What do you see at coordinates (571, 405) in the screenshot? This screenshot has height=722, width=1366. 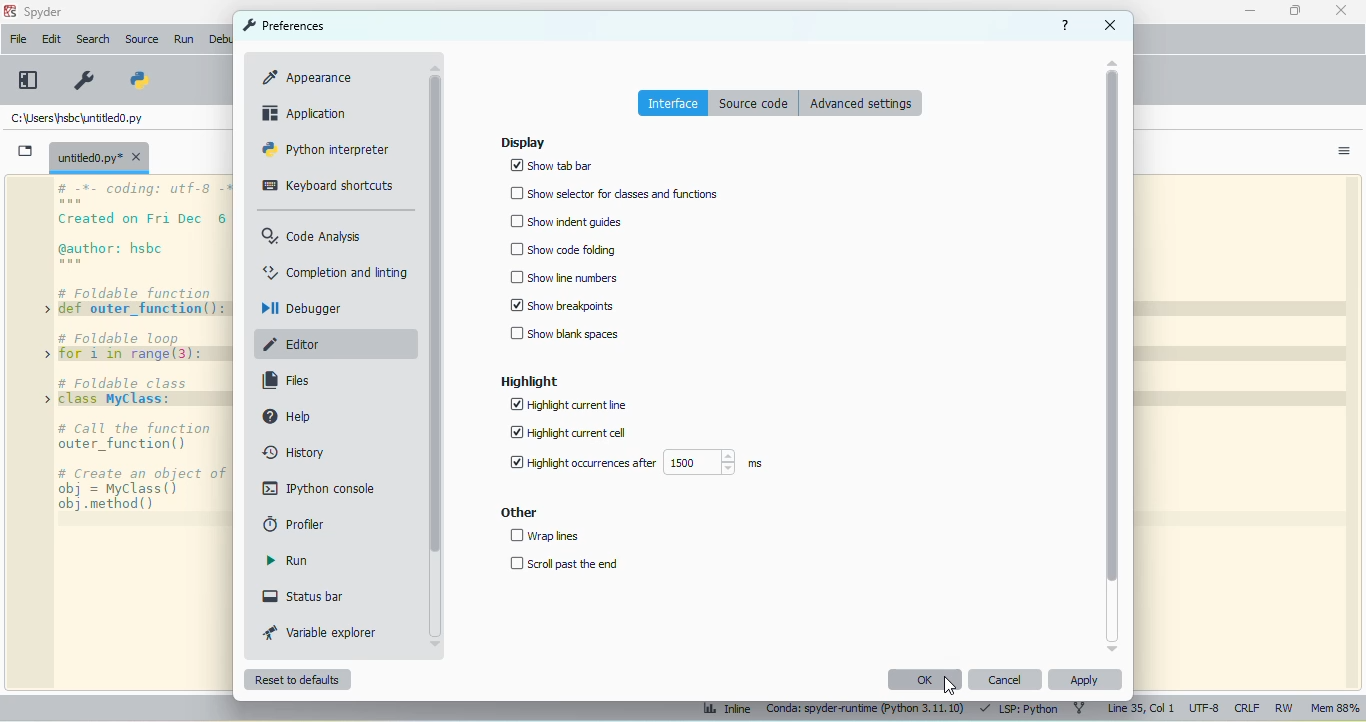 I see `highlight current line` at bounding box center [571, 405].